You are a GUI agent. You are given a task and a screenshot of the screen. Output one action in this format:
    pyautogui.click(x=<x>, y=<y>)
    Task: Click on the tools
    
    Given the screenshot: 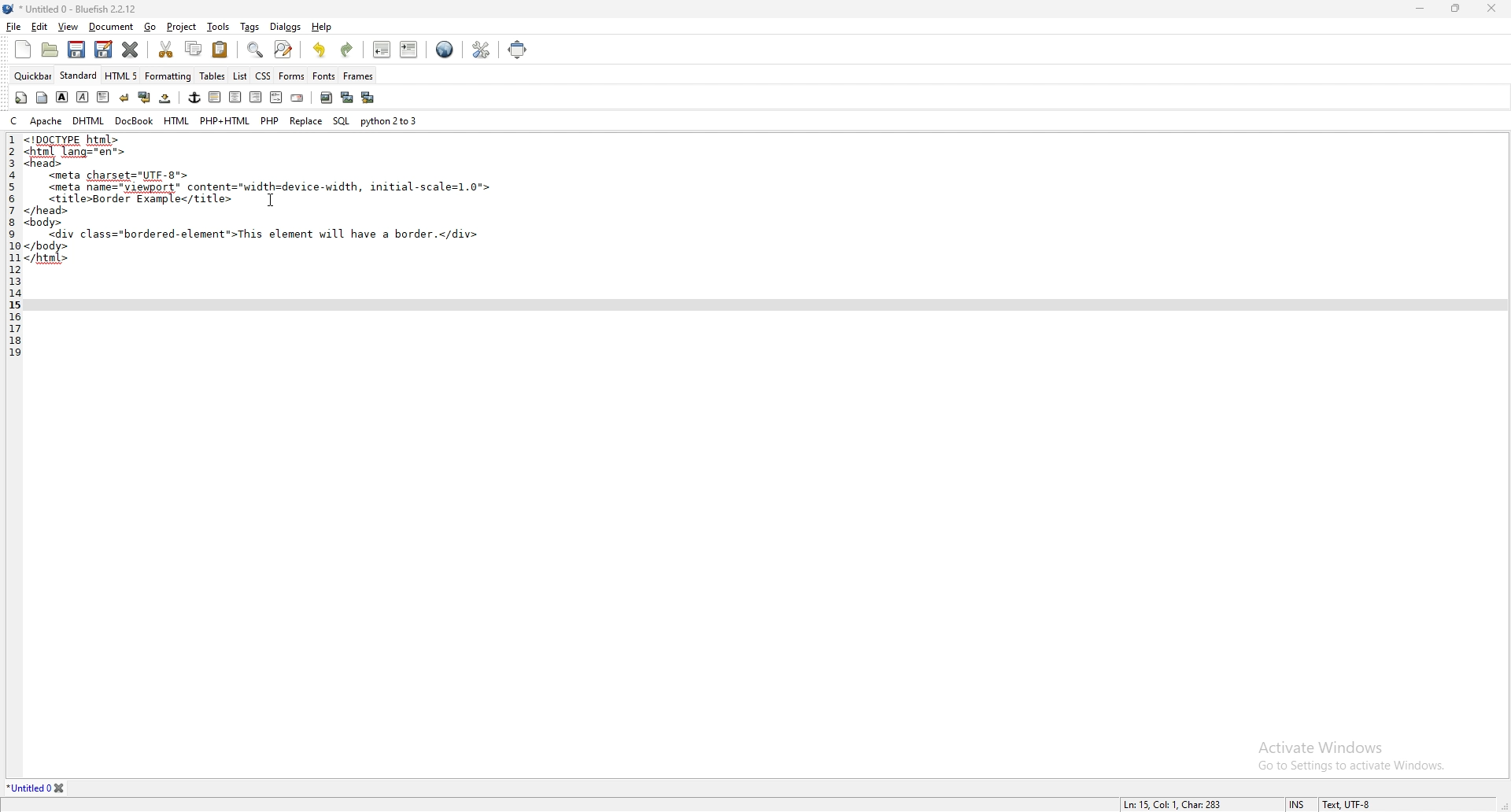 What is the action you would take?
    pyautogui.click(x=218, y=27)
    